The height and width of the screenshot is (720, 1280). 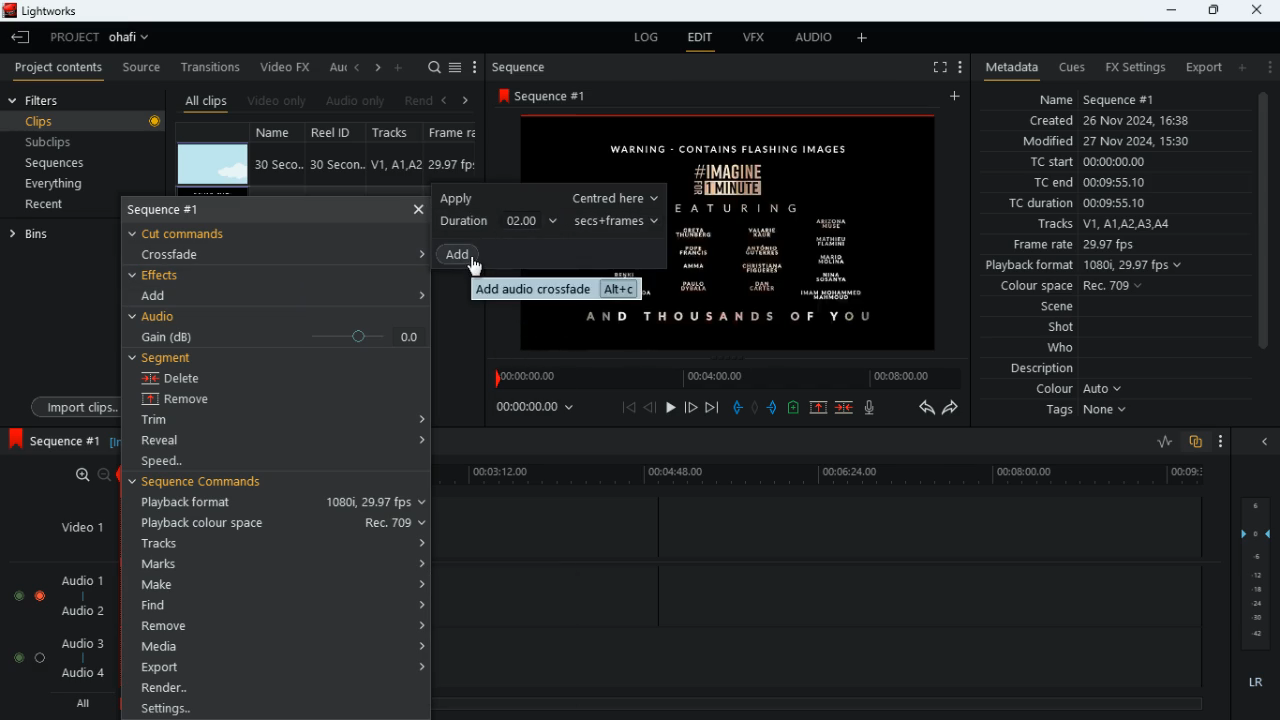 I want to click on left, so click(x=358, y=67).